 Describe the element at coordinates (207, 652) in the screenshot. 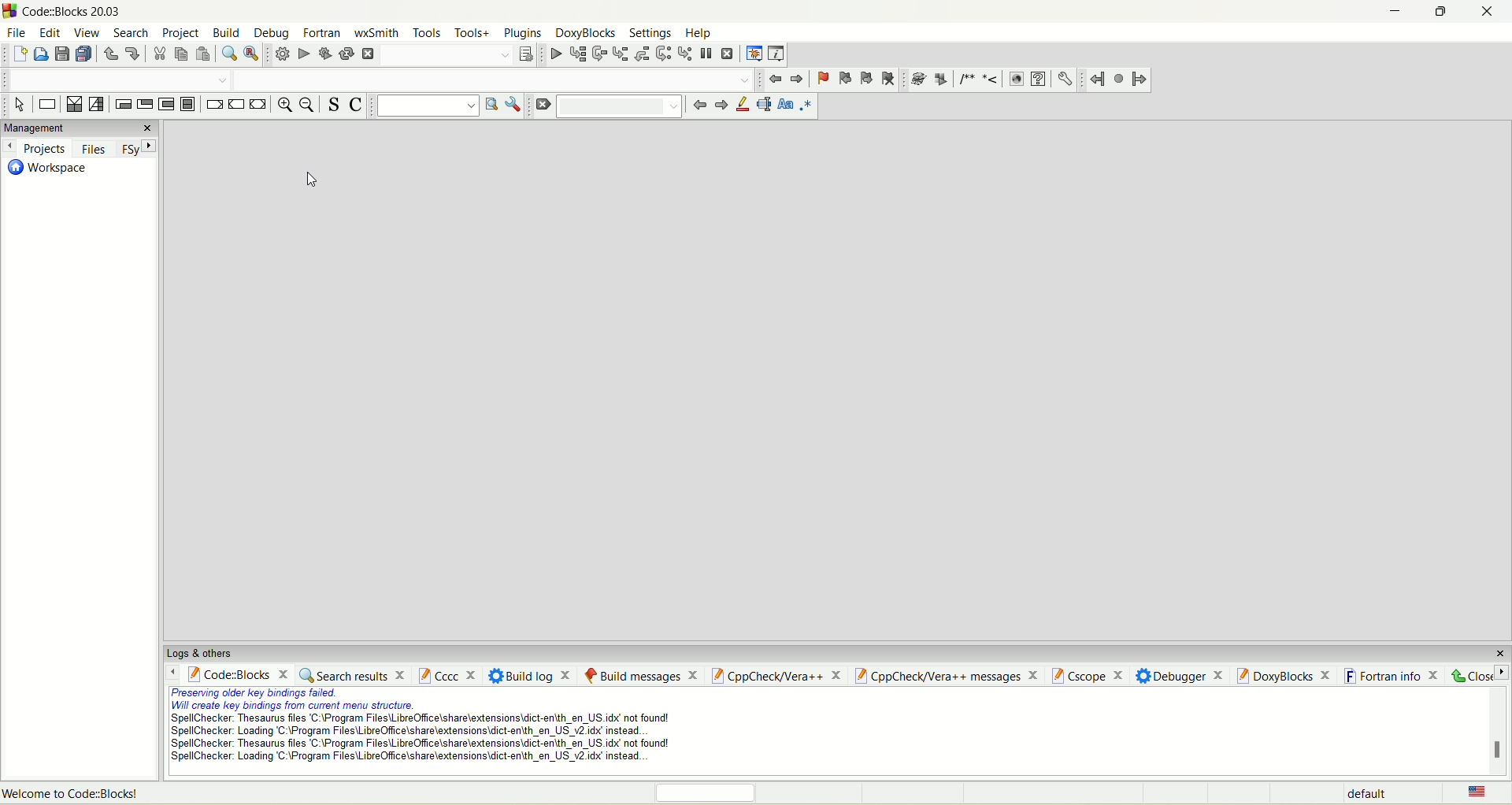

I see `logs and others` at that location.